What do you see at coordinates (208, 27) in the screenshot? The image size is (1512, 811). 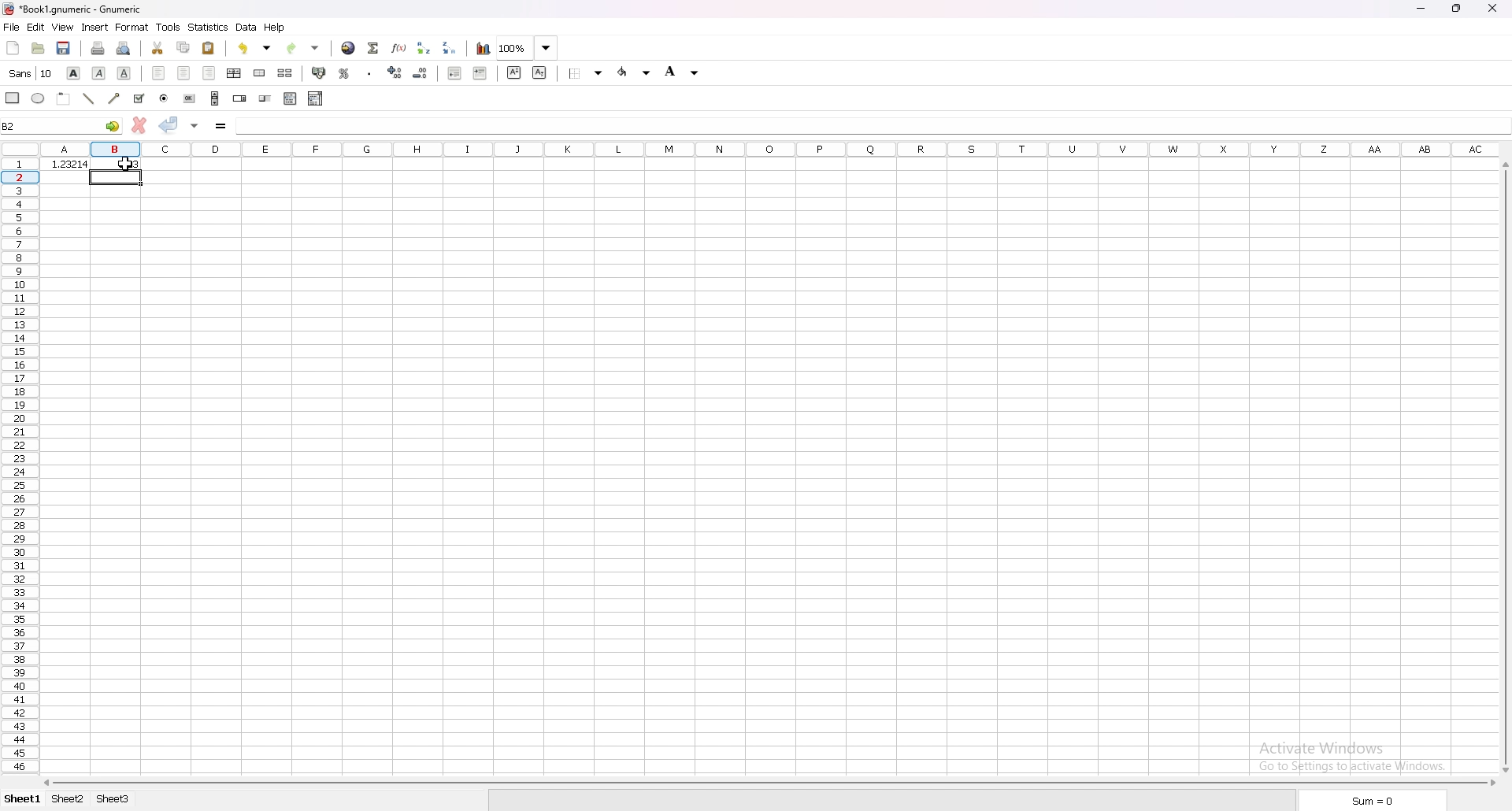 I see `statistics` at bounding box center [208, 27].